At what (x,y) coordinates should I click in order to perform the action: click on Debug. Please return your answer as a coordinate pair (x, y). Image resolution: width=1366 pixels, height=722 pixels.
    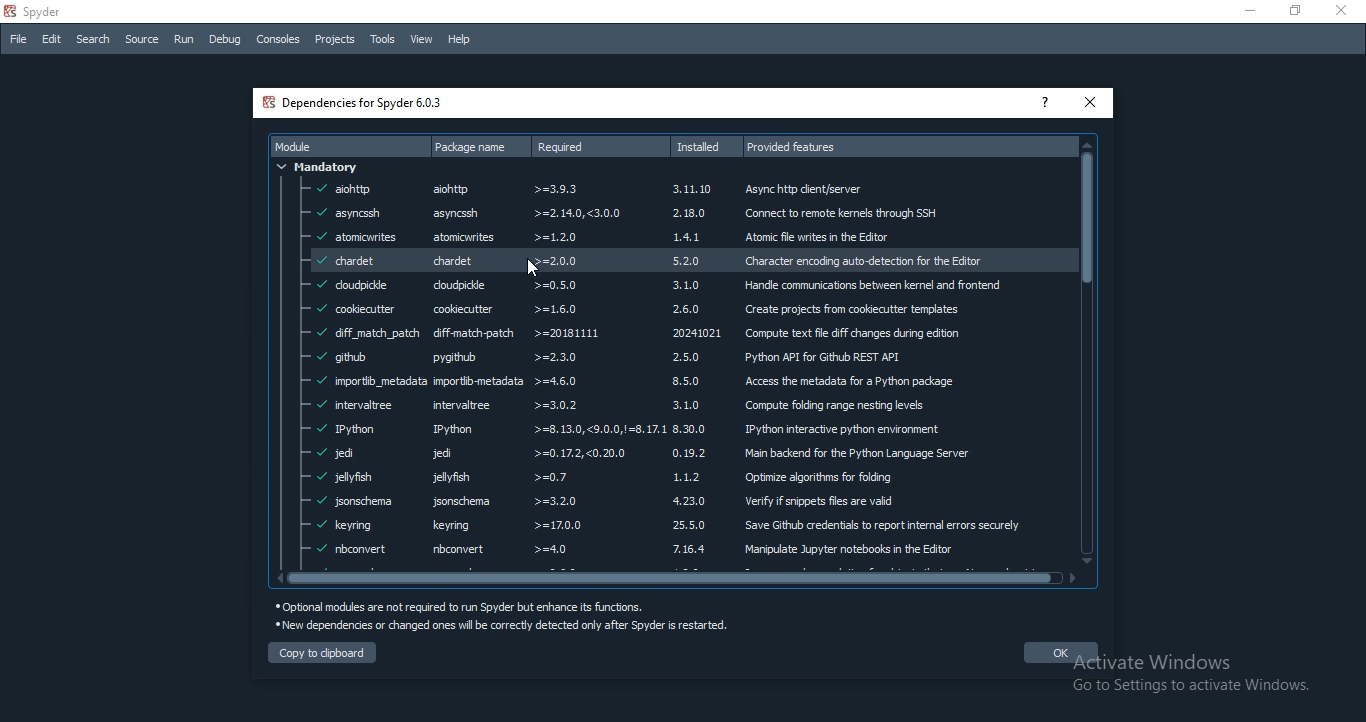
    Looking at the image, I should click on (225, 40).